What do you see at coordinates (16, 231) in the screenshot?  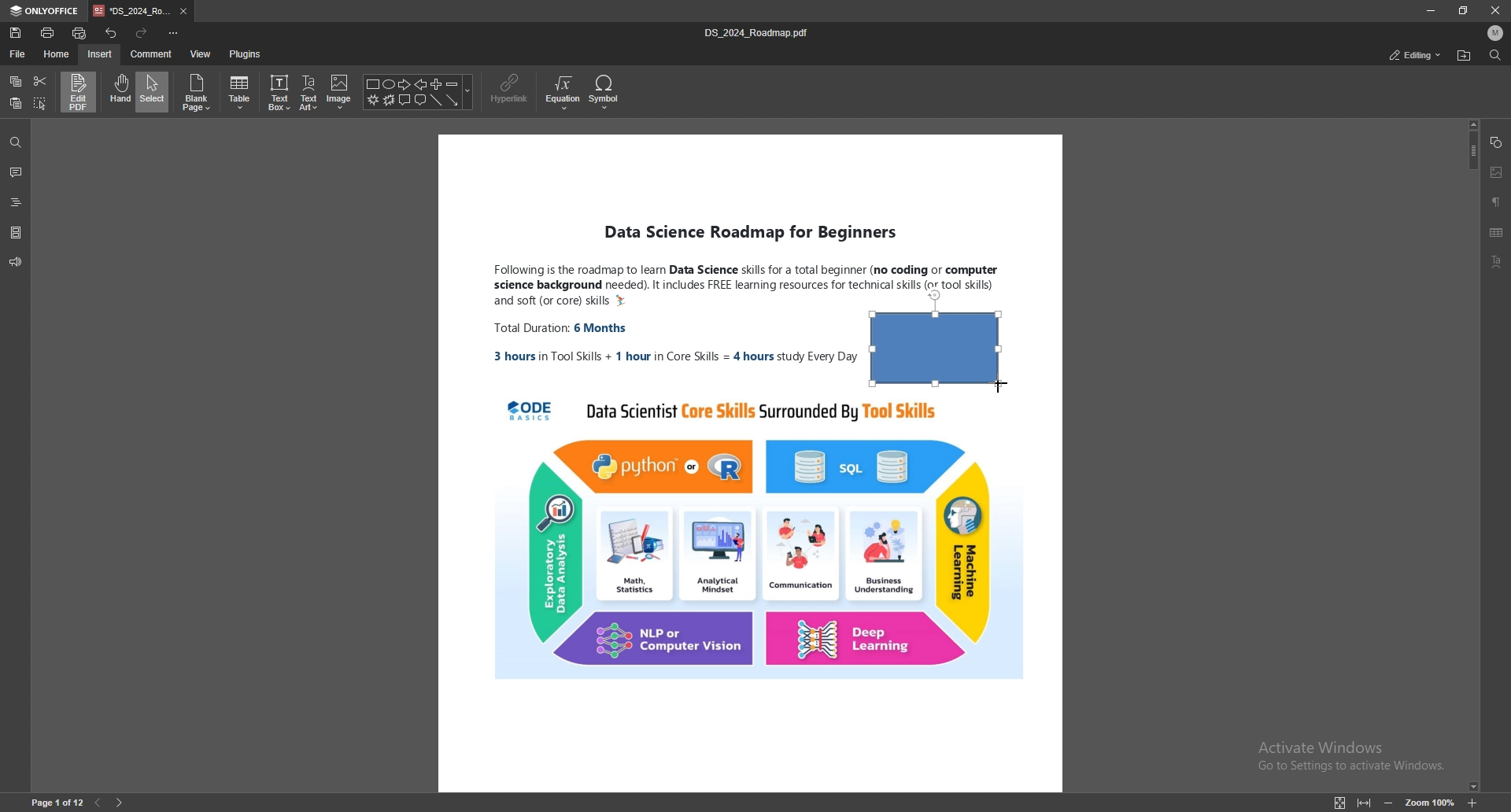 I see `pages` at bounding box center [16, 231].